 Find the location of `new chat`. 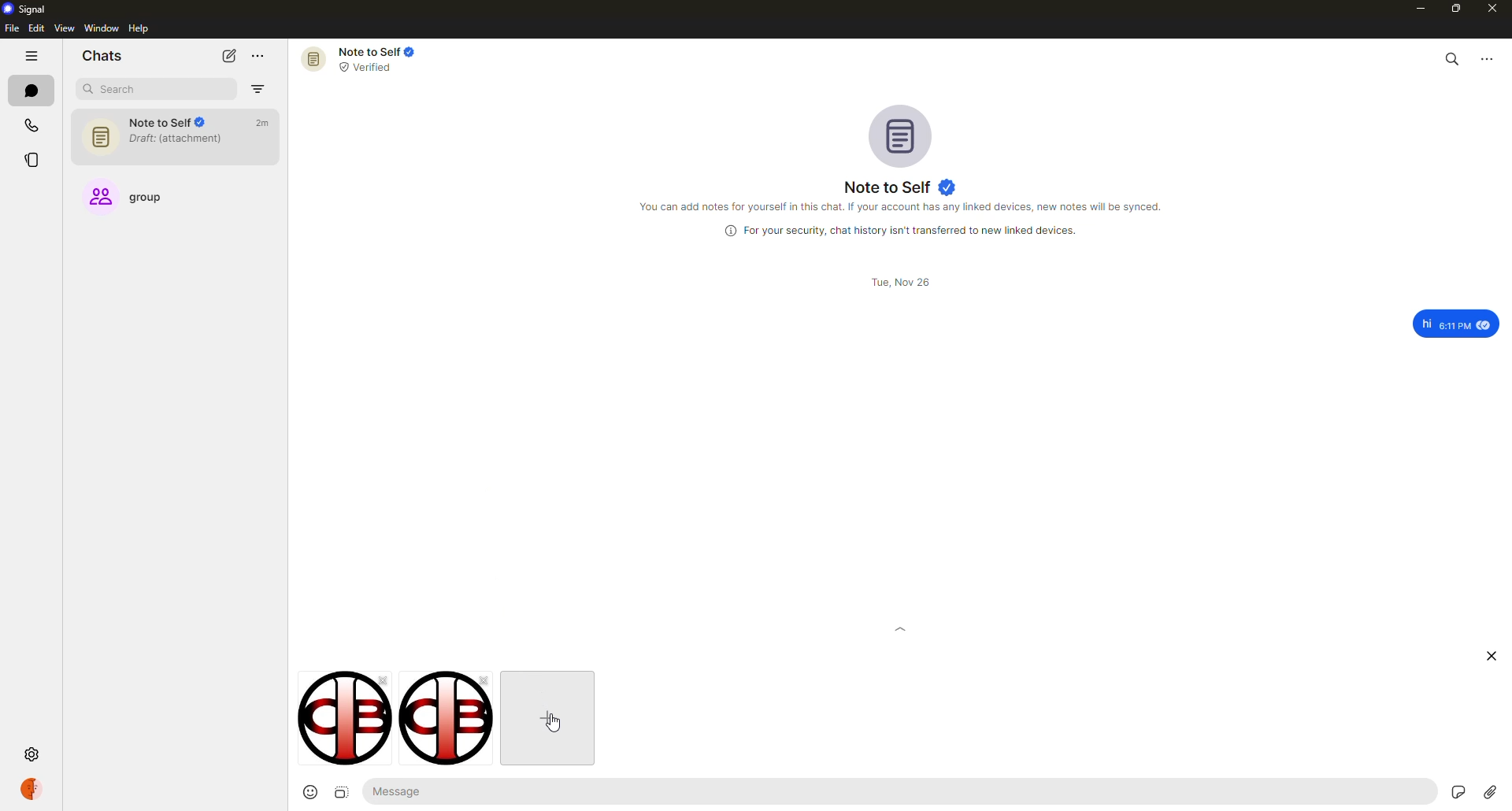

new chat is located at coordinates (228, 56).